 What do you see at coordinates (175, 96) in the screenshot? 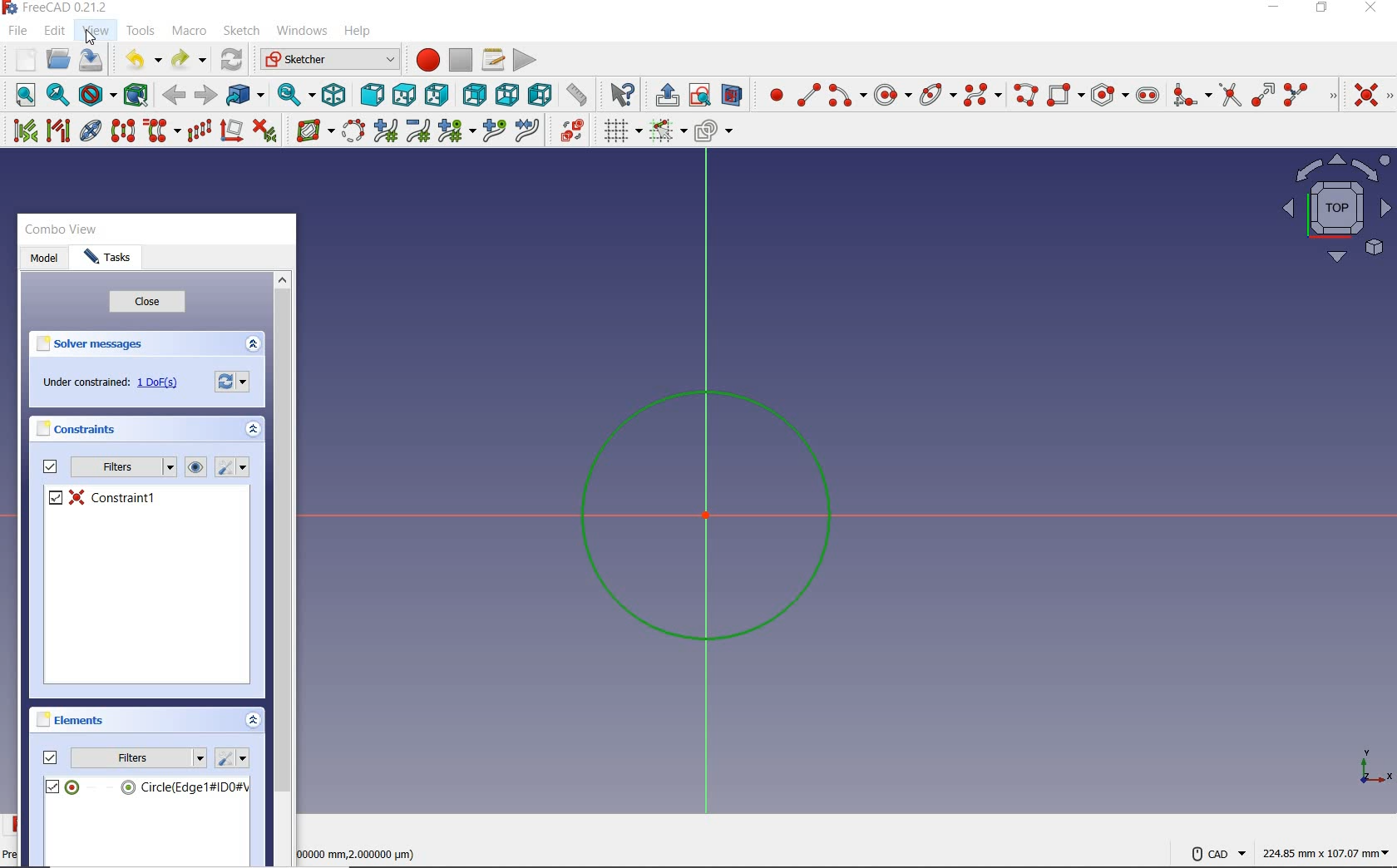
I see `backward` at bounding box center [175, 96].